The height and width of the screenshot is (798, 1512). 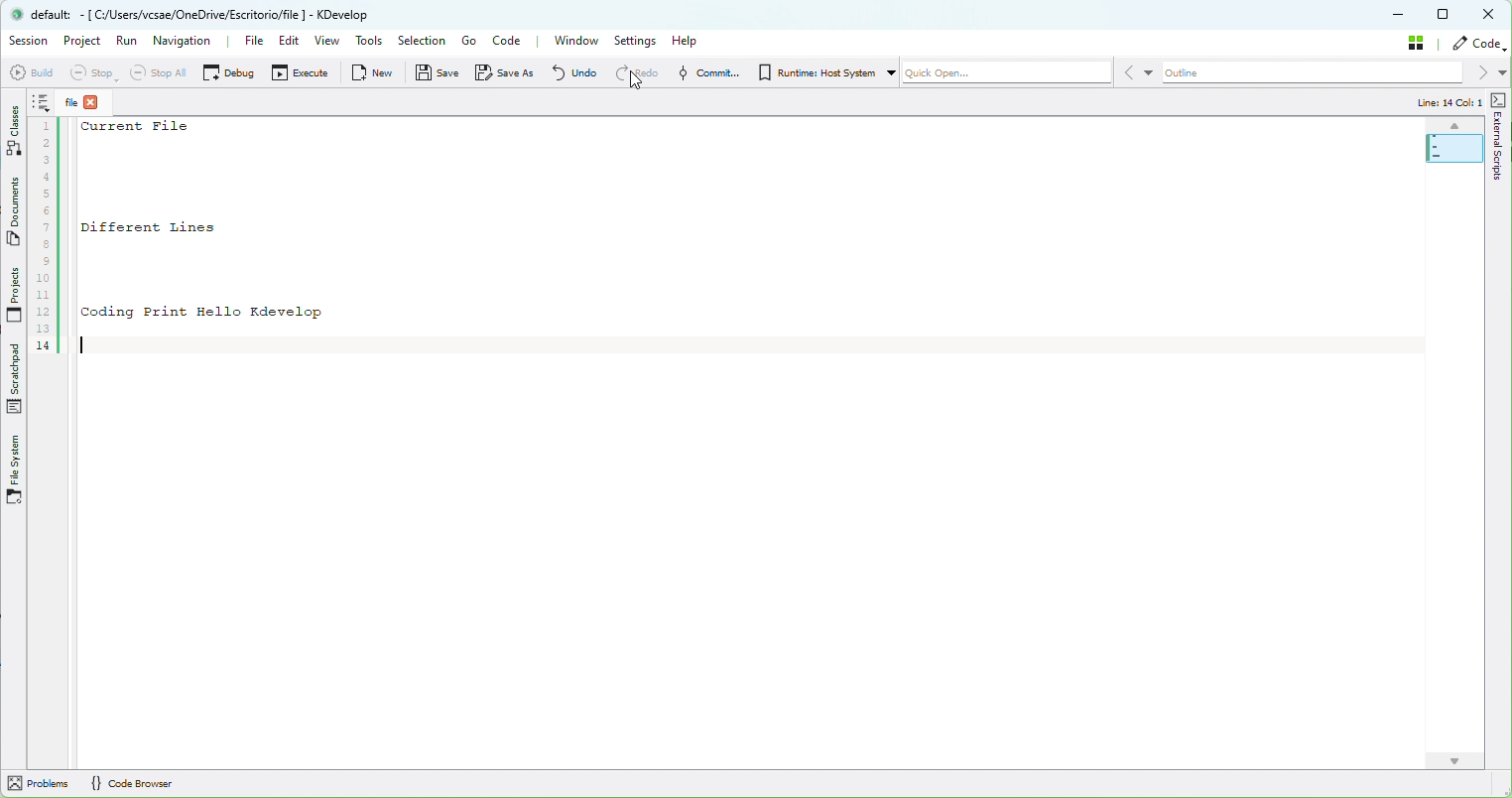 I want to click on Problems, so click(x=44, y=783).